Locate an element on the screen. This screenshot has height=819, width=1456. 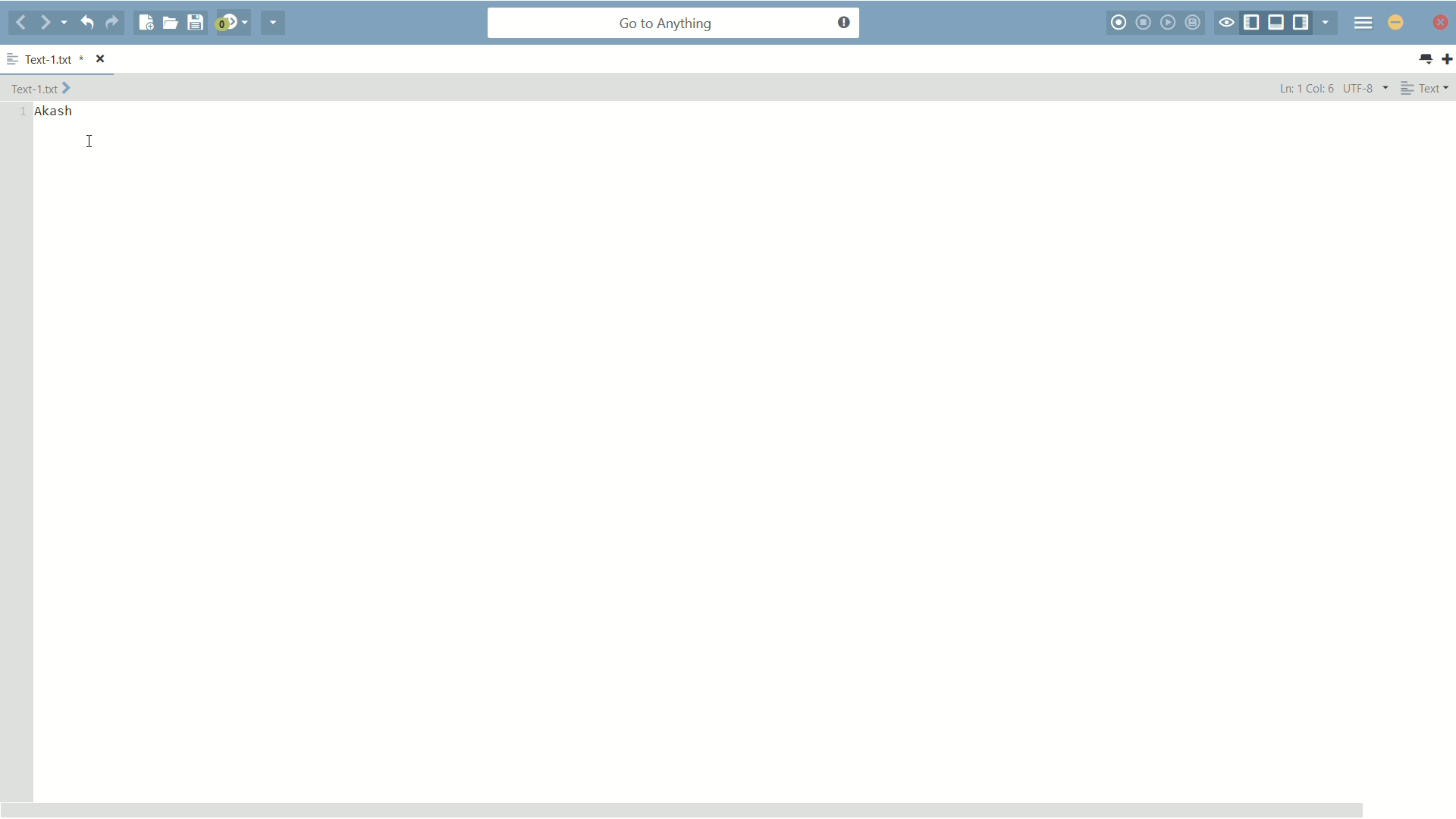
menu is located at coordinates (1363, 24).